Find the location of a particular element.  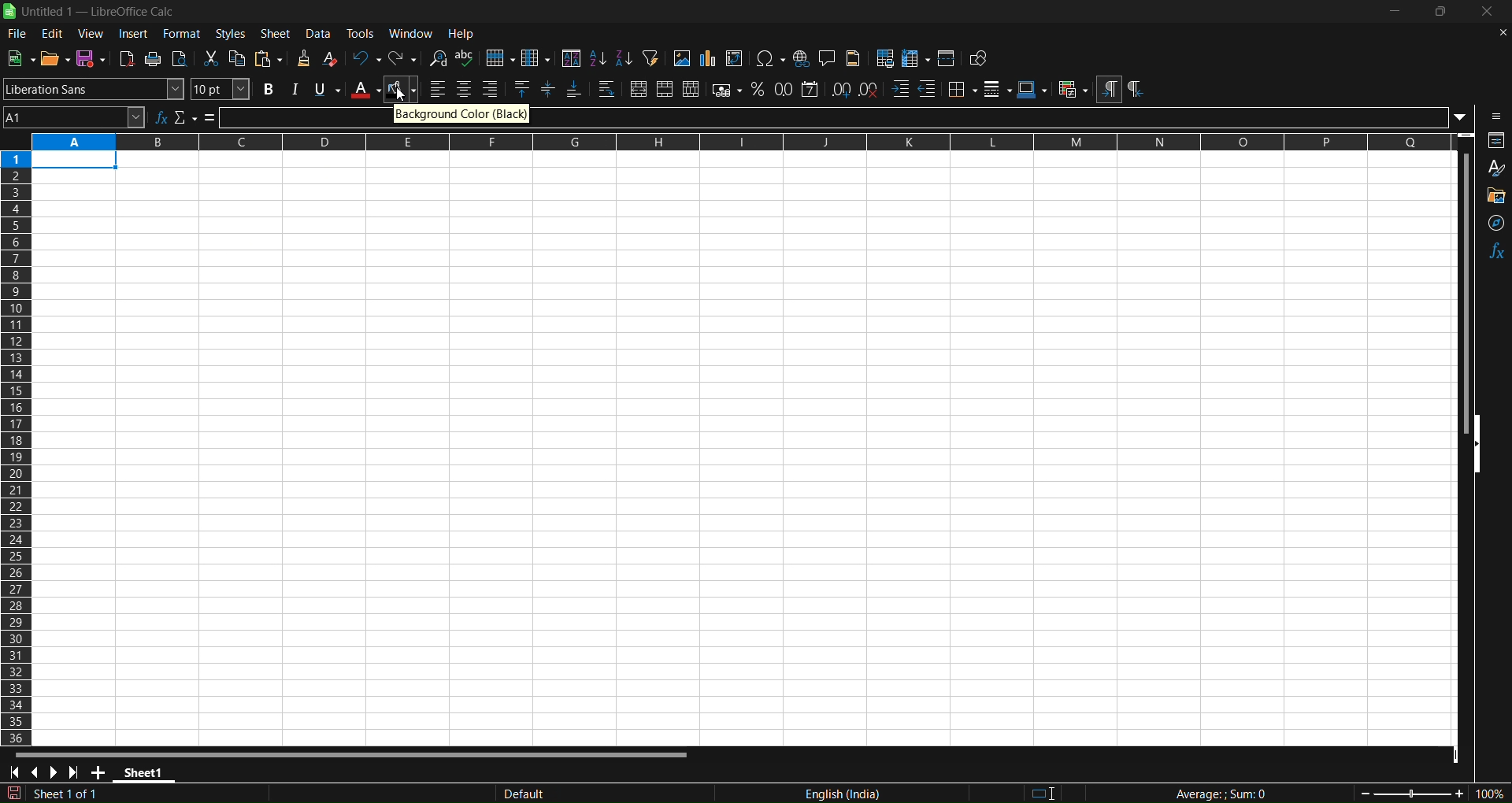

define print area is located at coordinates (884, 59).